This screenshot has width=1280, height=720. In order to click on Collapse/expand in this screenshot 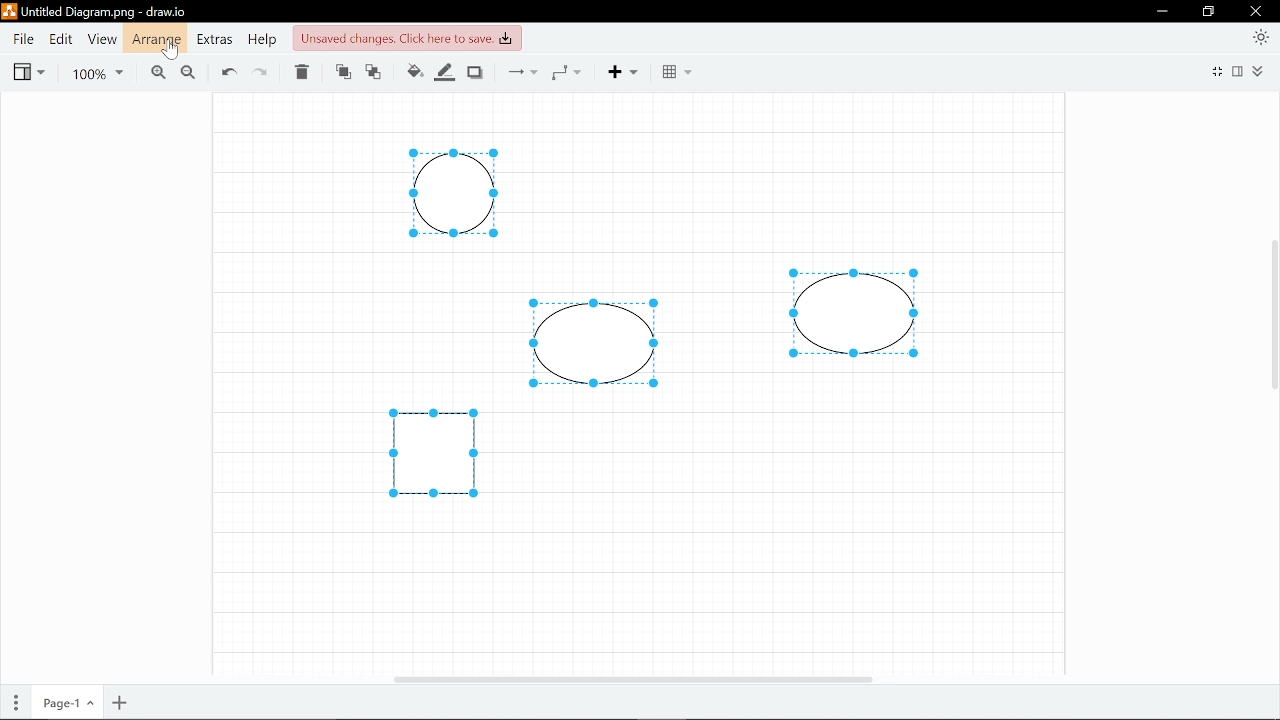, I will do `click(1261, 71)`.